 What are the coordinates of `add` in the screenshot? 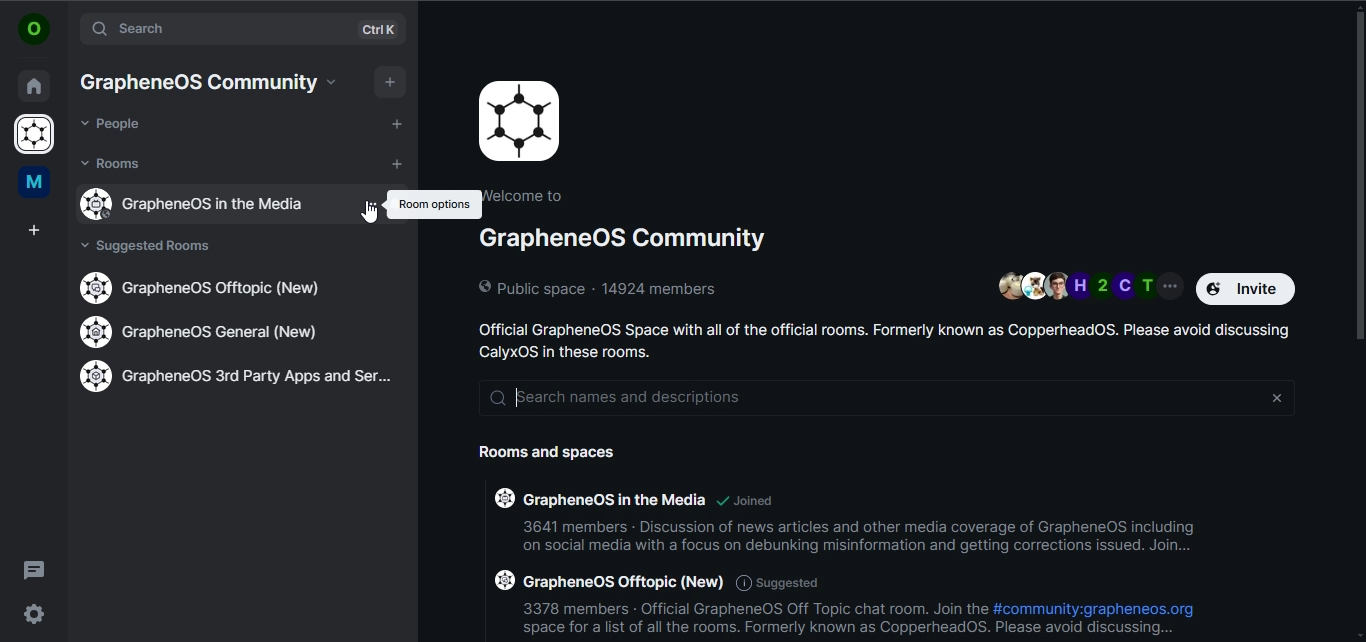 It's located at (392, 80).